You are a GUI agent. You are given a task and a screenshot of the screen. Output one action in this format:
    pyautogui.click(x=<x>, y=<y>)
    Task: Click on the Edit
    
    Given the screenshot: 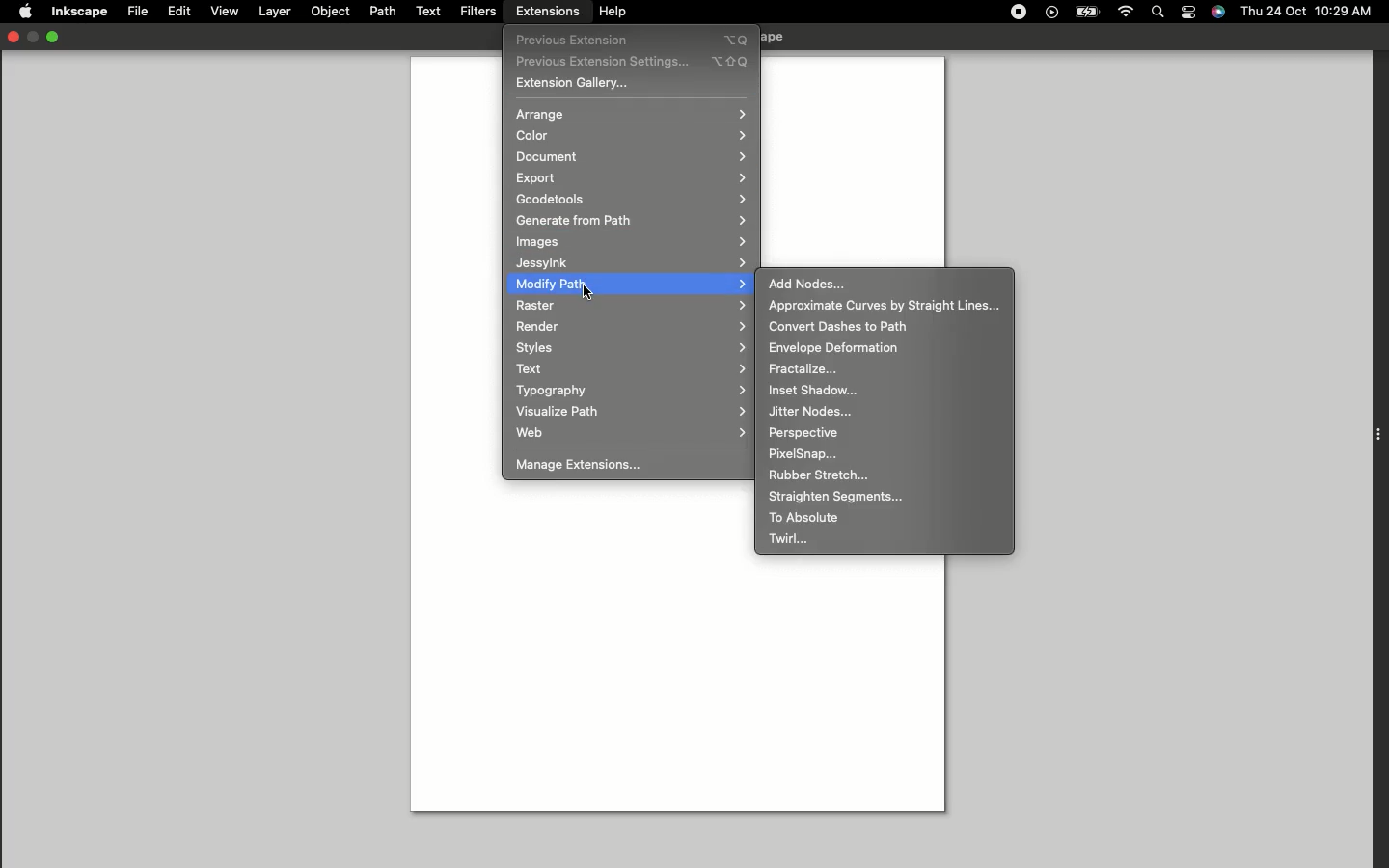 What is the action you would take?
    pyautogui.click(x=183, y=12)
    